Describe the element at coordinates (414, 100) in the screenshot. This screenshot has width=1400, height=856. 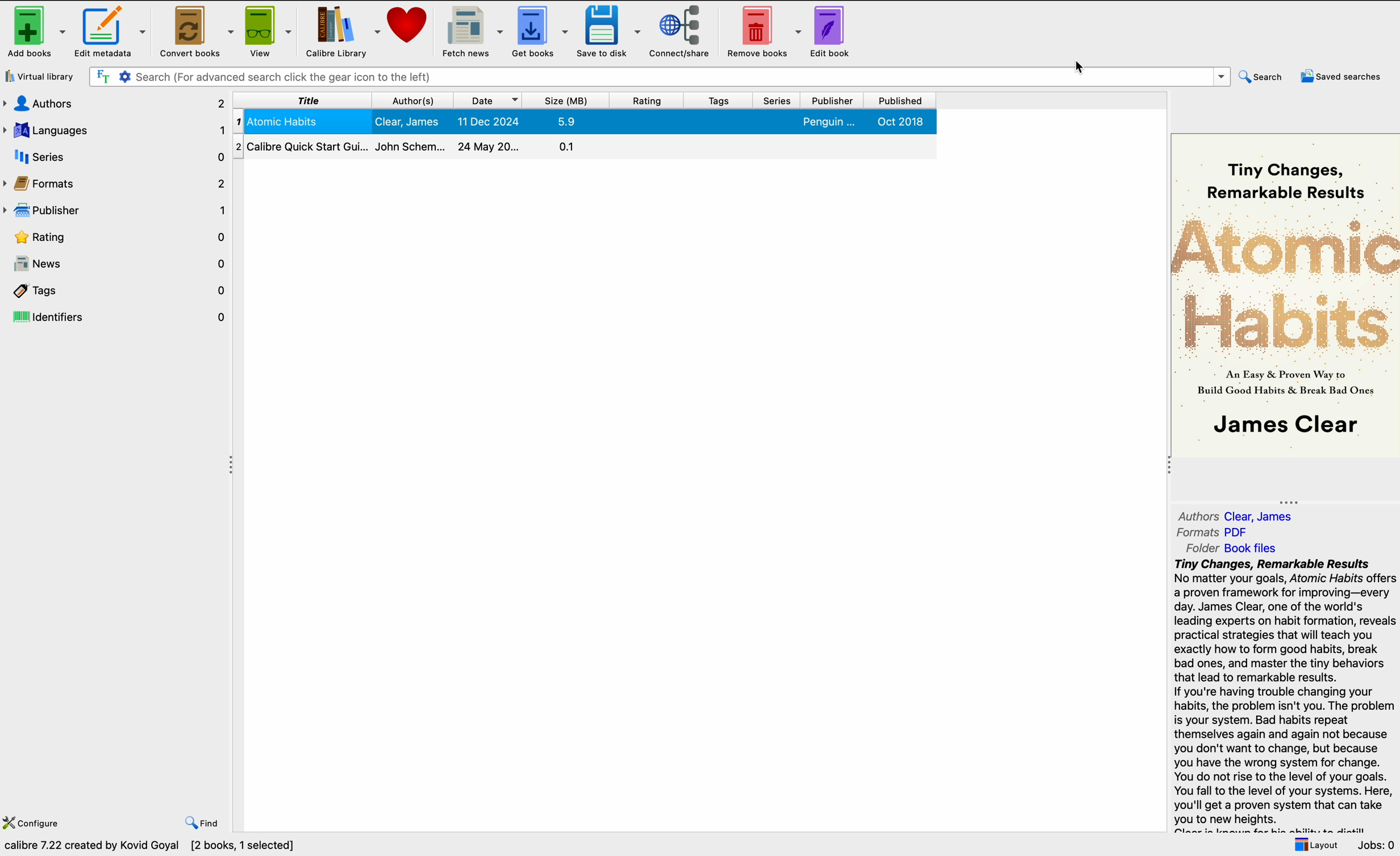
I see `author(s)` at that location.